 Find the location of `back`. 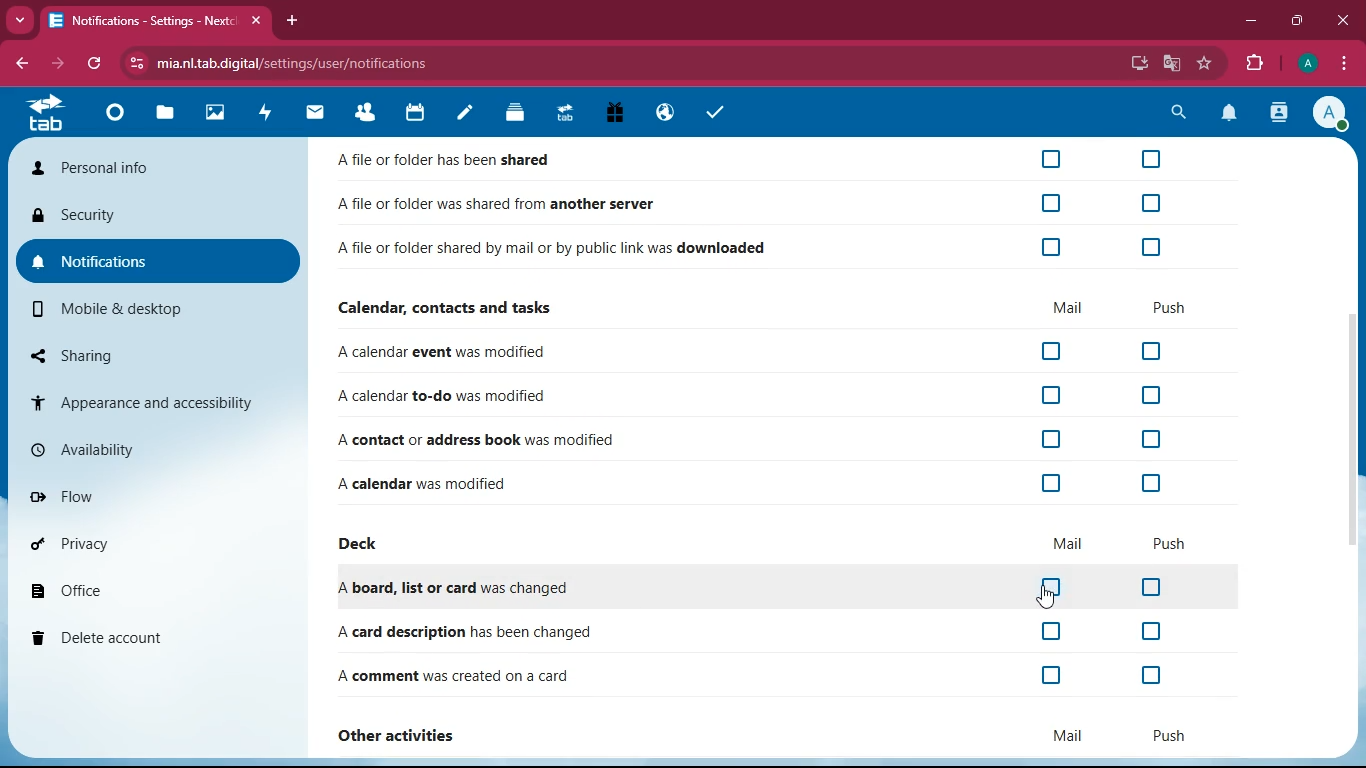

back is located at coordinates (22, 63).